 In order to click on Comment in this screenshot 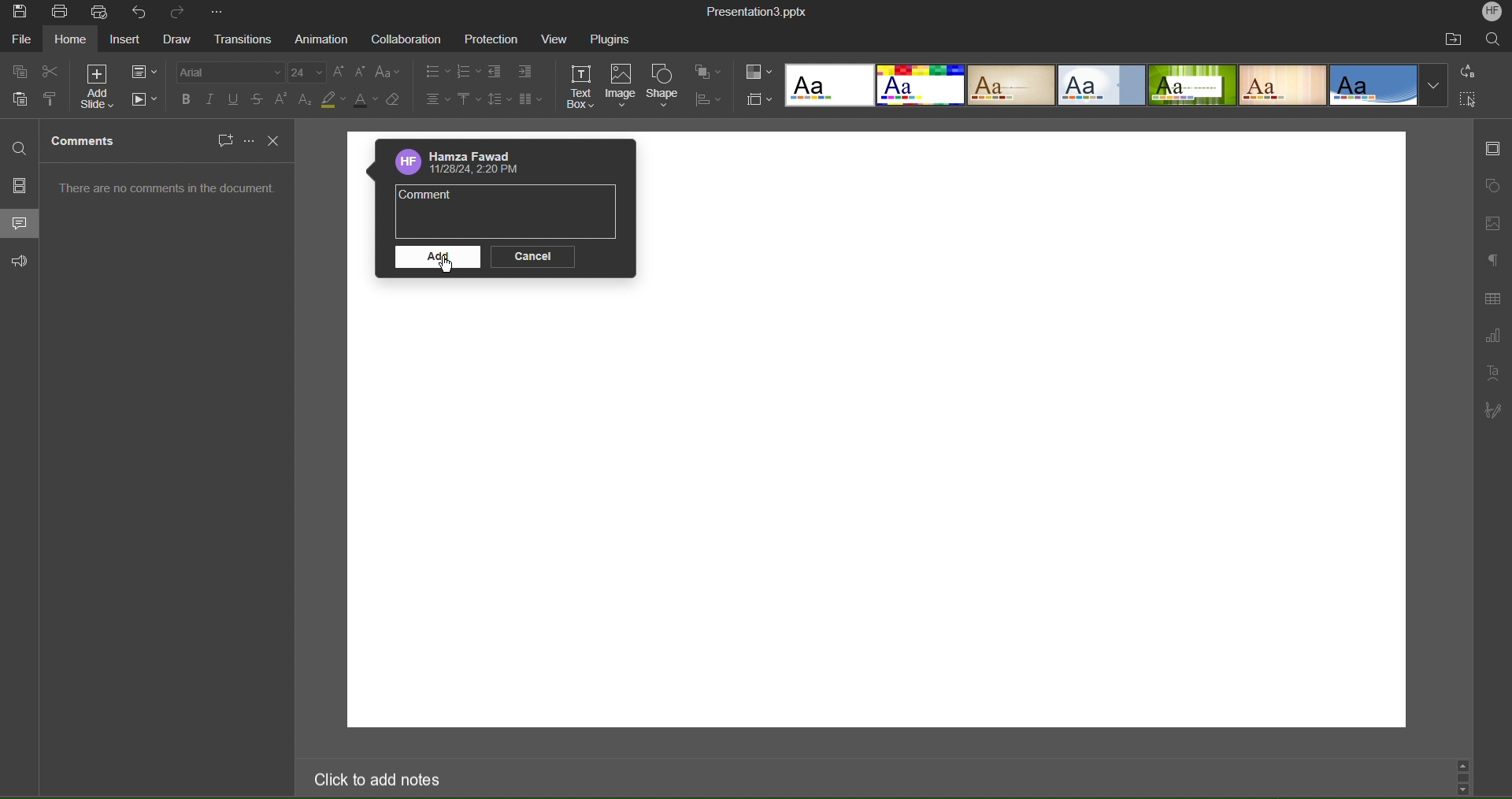, I will do `click(428, 198)`.